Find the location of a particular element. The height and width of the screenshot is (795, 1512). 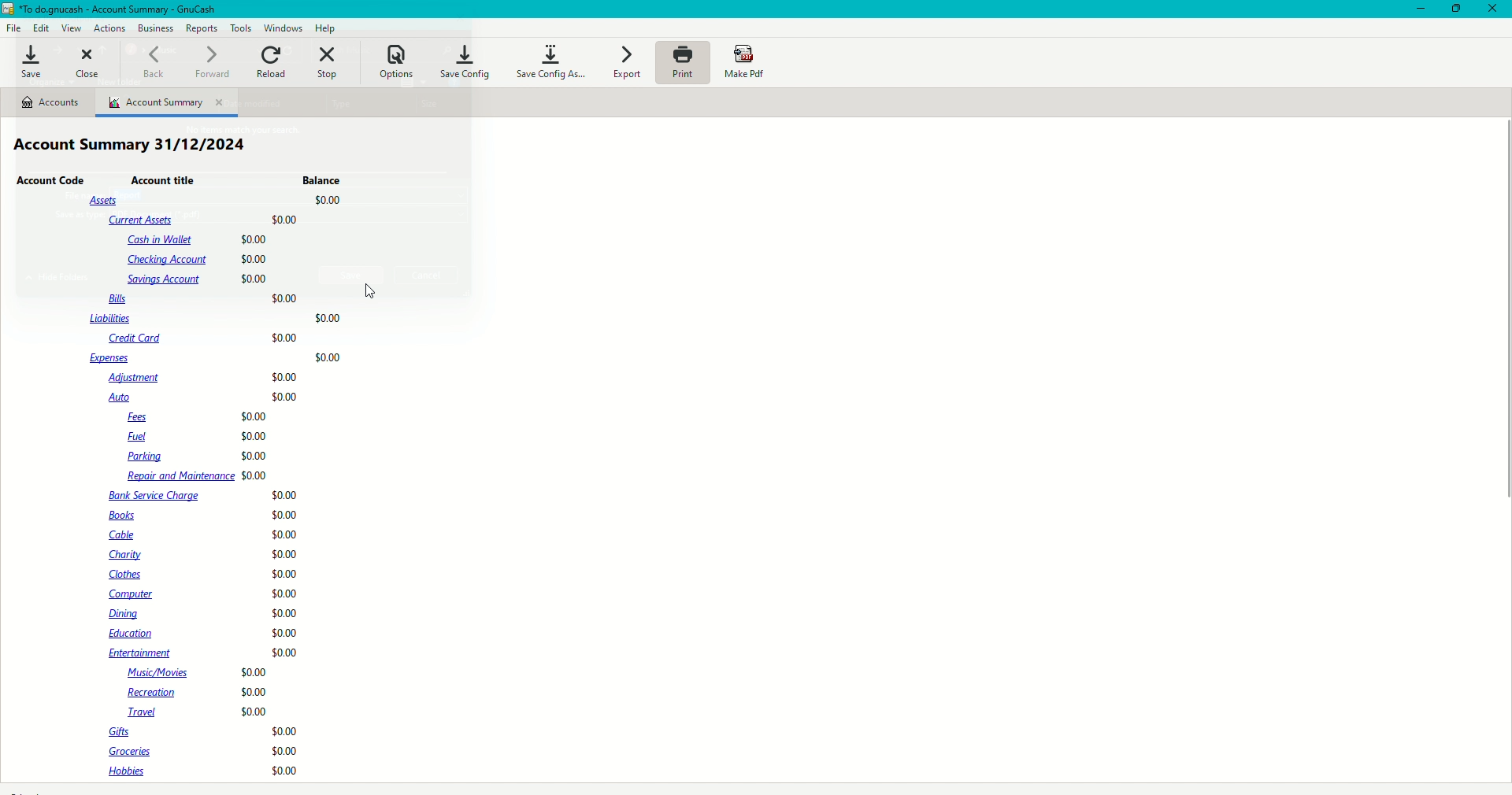

View is located at coordinates (72, 29).